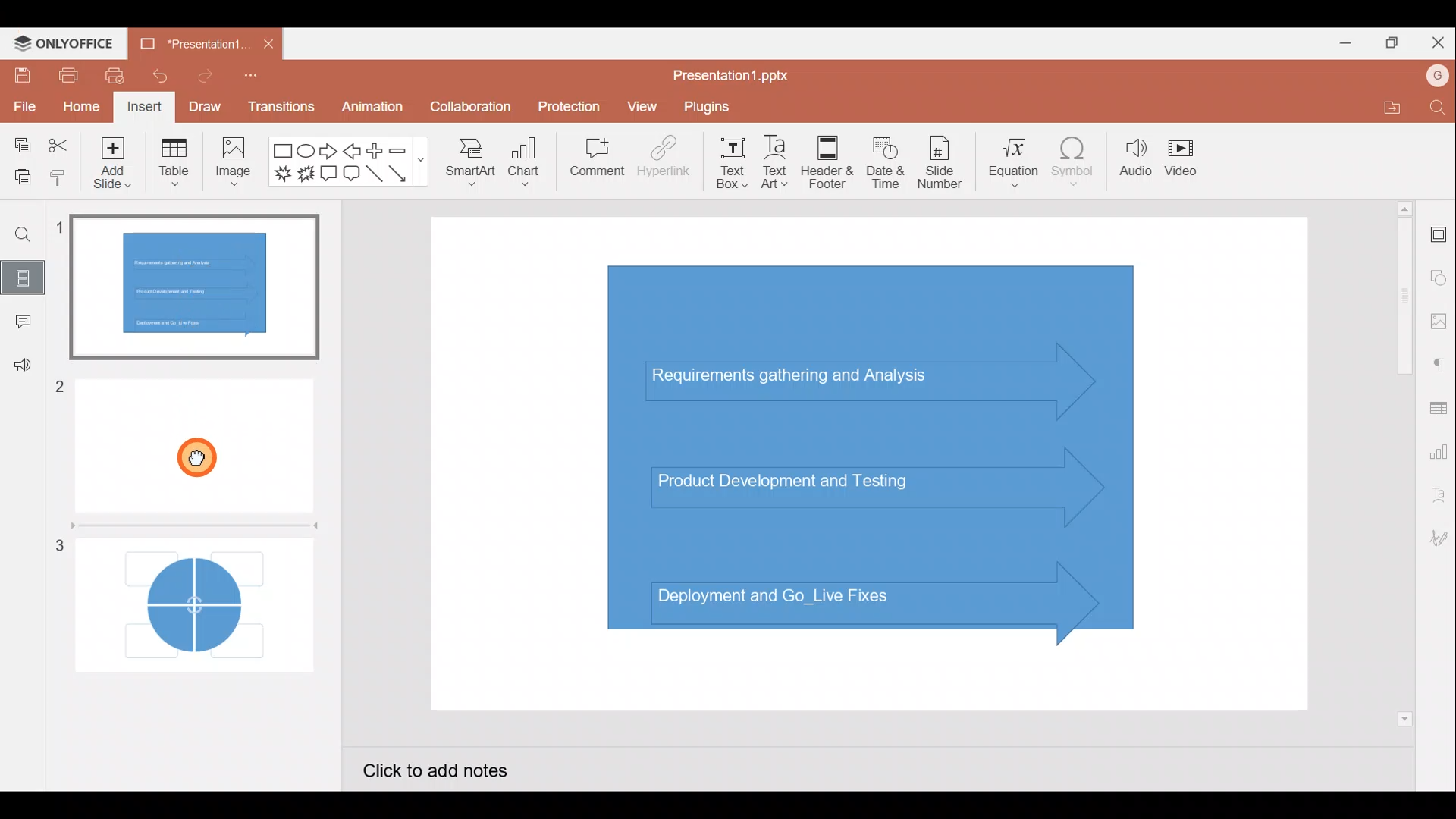 The height and width of the screenshot is (819, 1456). Describe the element at coordinates (19, 322) in the screenshot. I see `Comment` at that location.